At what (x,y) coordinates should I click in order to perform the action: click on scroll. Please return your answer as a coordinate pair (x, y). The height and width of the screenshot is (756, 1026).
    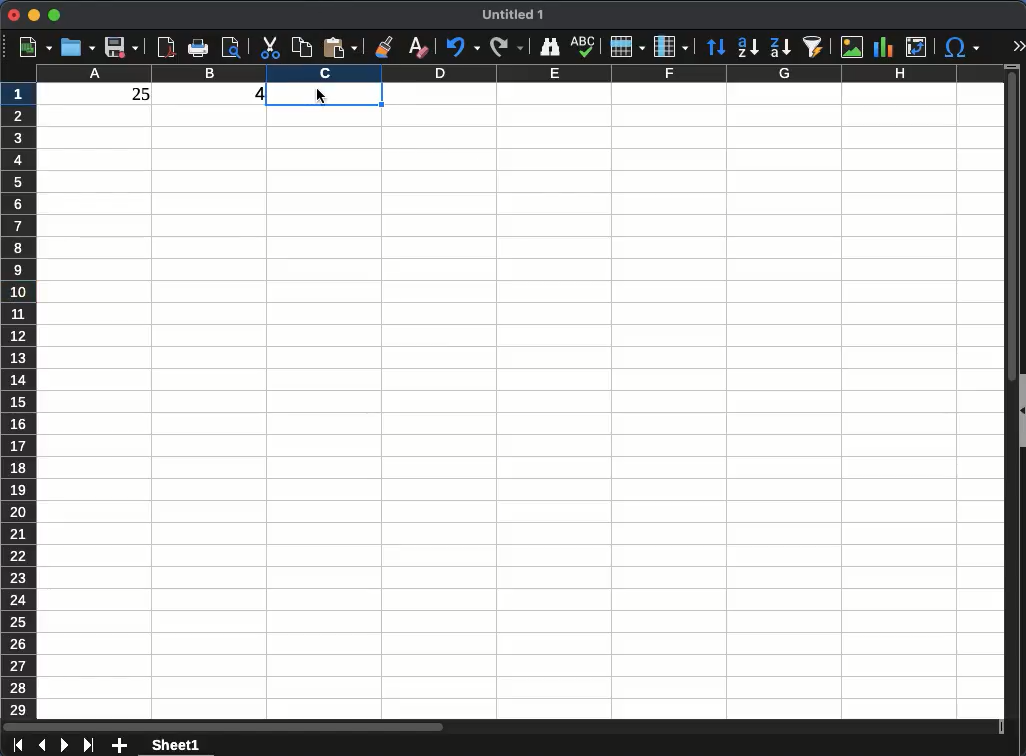
    Looking at the image, I should click on (1004, 401).